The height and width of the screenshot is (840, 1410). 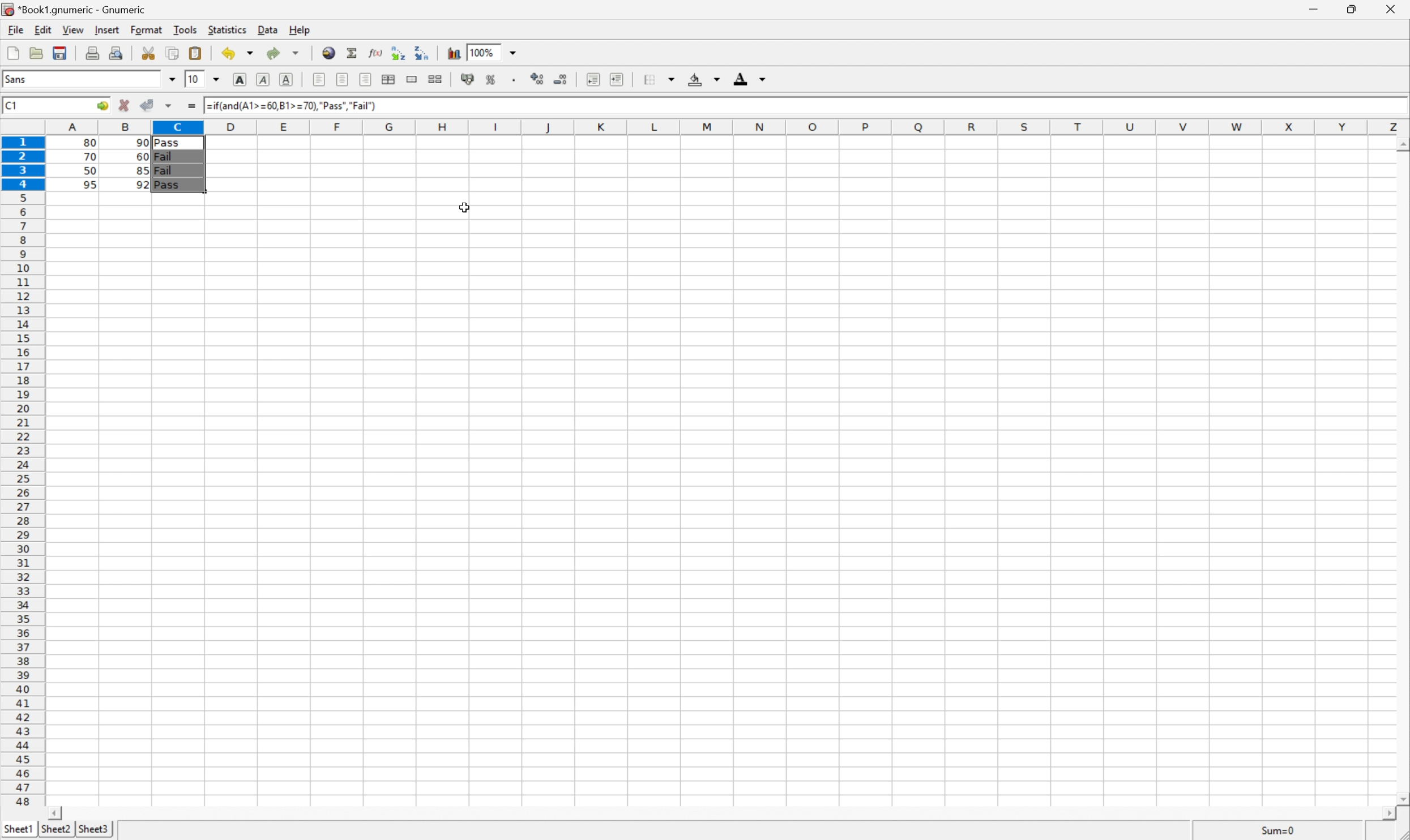 I want to click on Drop Down, so click(x=296, y=50).